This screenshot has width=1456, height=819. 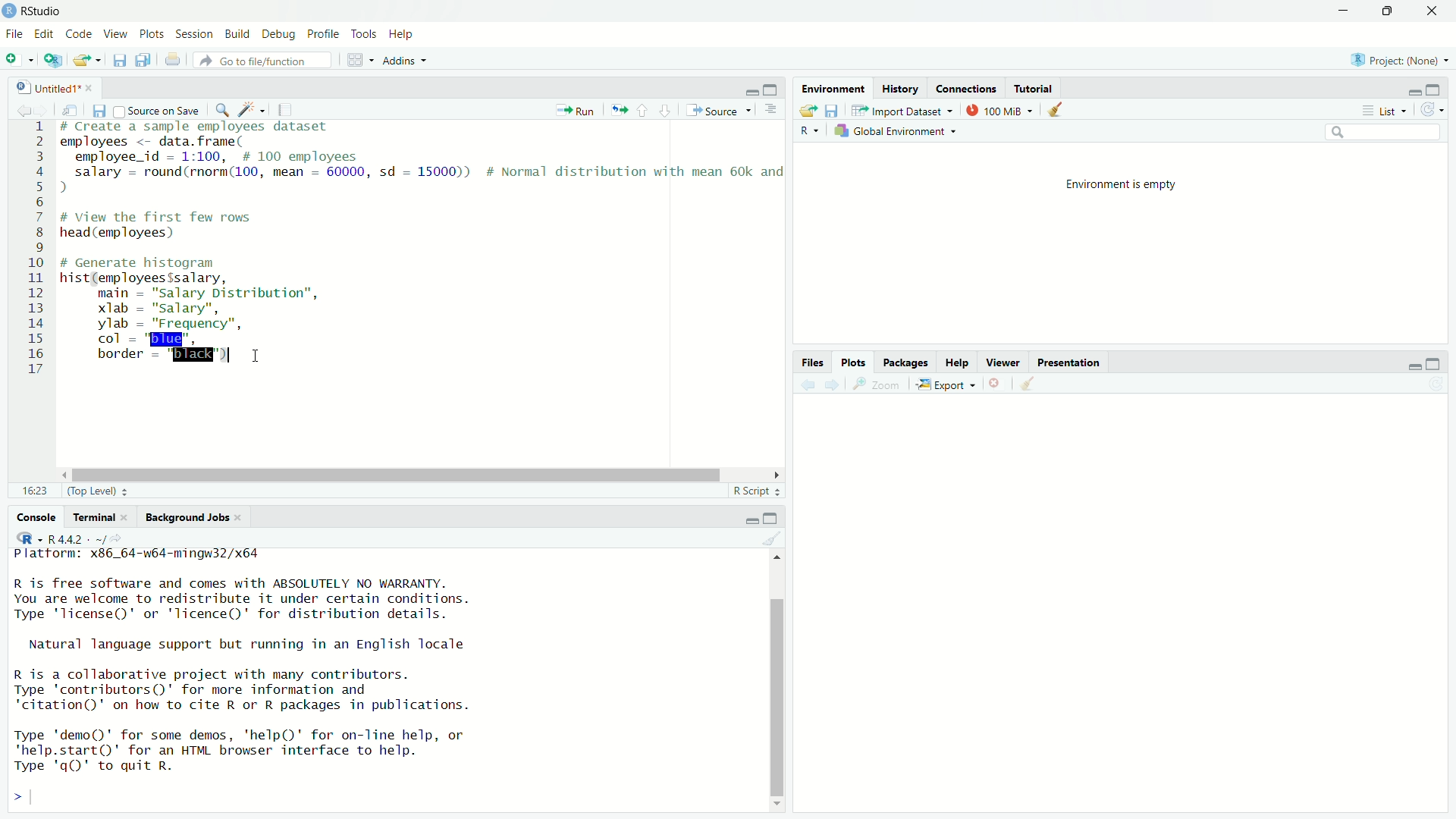 I want to click on Maximise , so click(x=1433, y=365).